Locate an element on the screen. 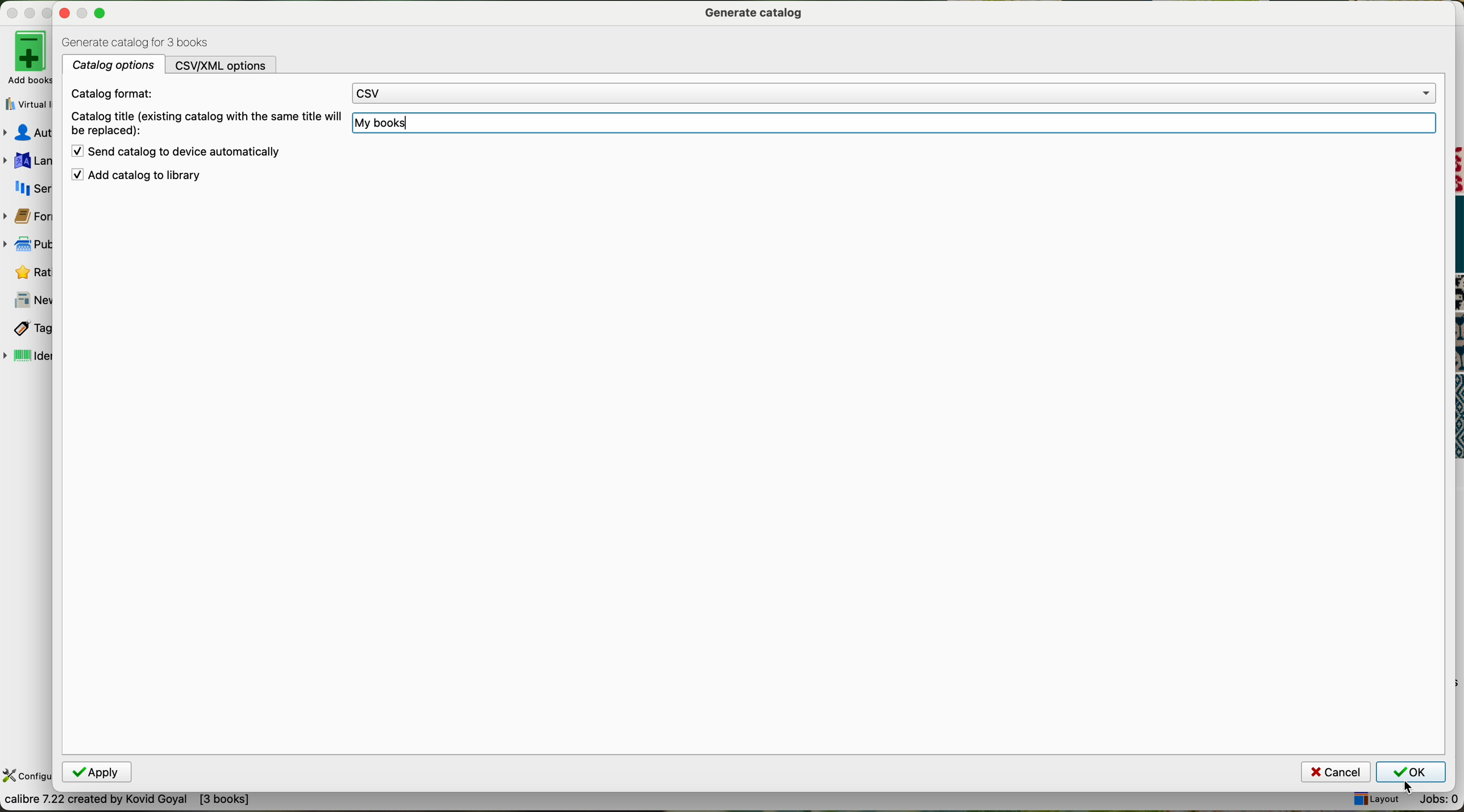 This screenshot has width=1464, height=812. configure is located at coordinates (27, 778).